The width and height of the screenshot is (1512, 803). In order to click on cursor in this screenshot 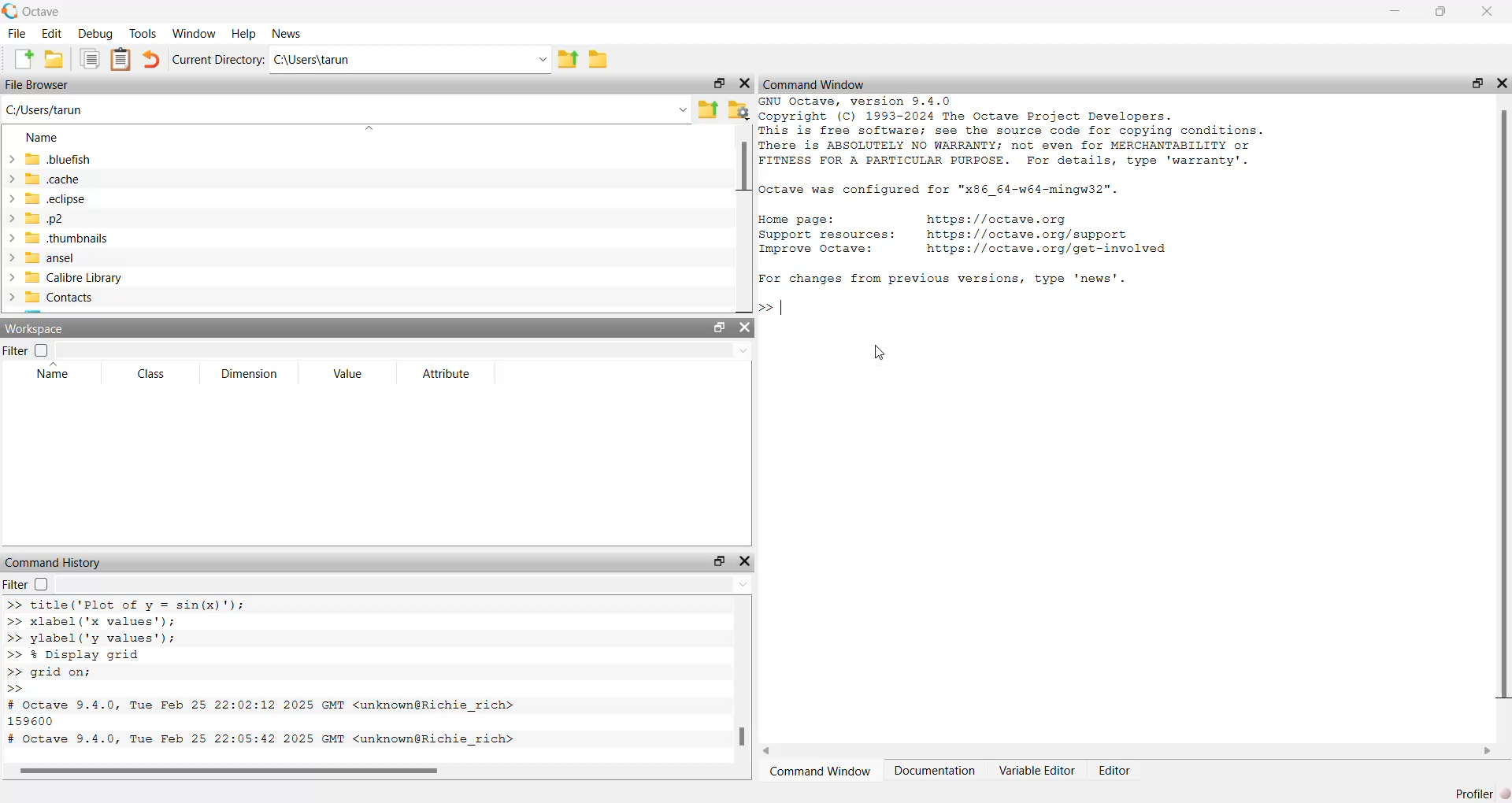, I will do `click(877, 353)`.